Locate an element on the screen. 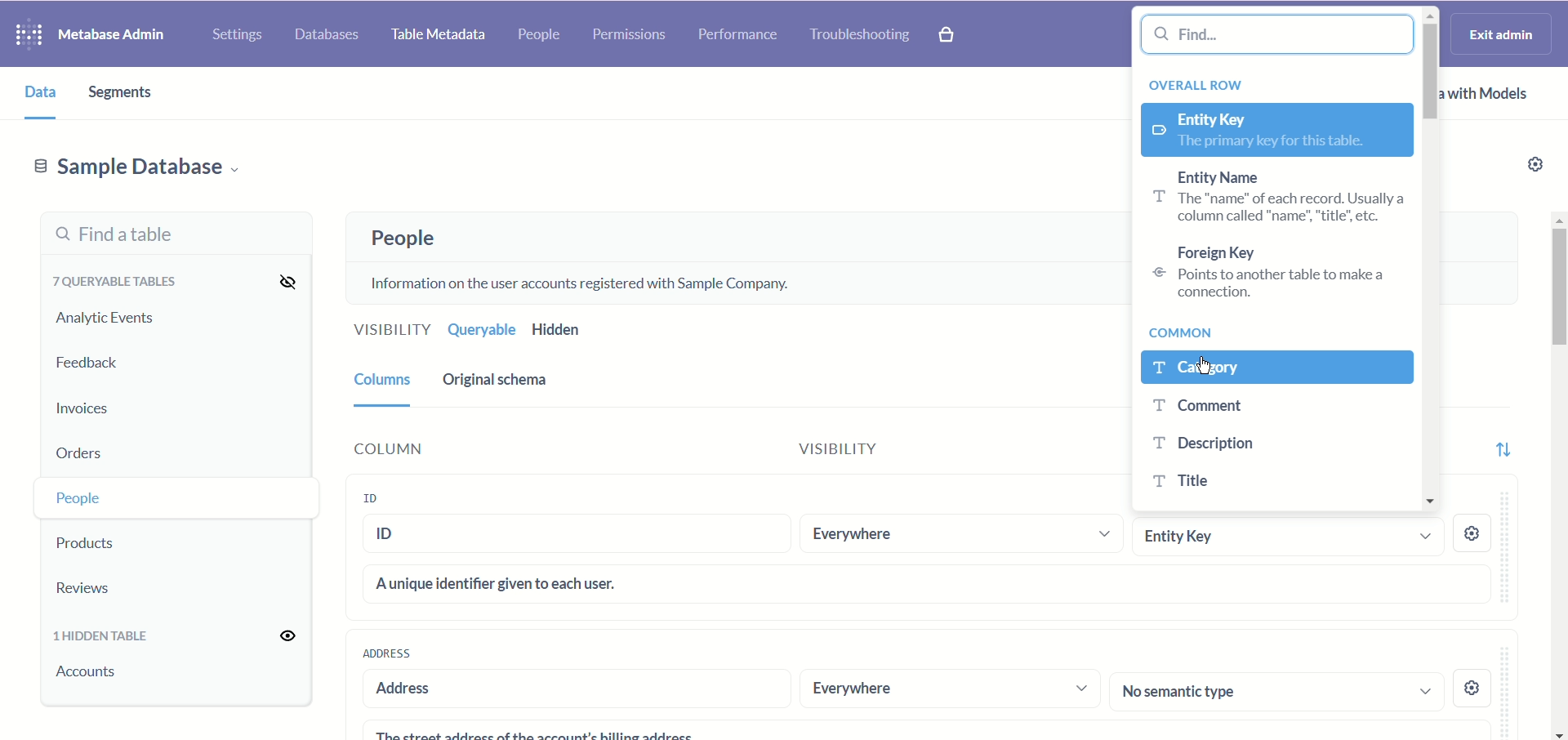 The image size is (1568, 740). Common is located at coordinates (1187, 333).